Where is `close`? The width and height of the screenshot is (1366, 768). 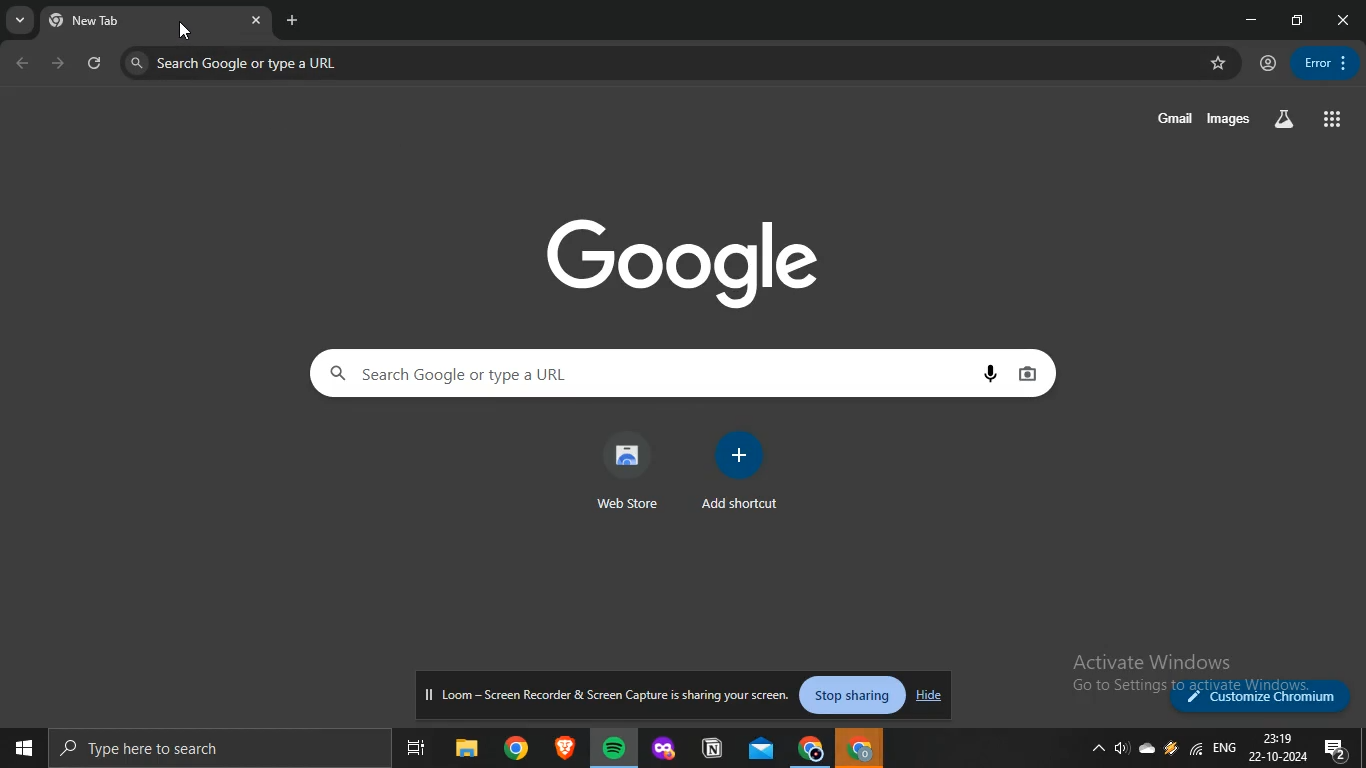
close is located at coordinates (1344, 20).